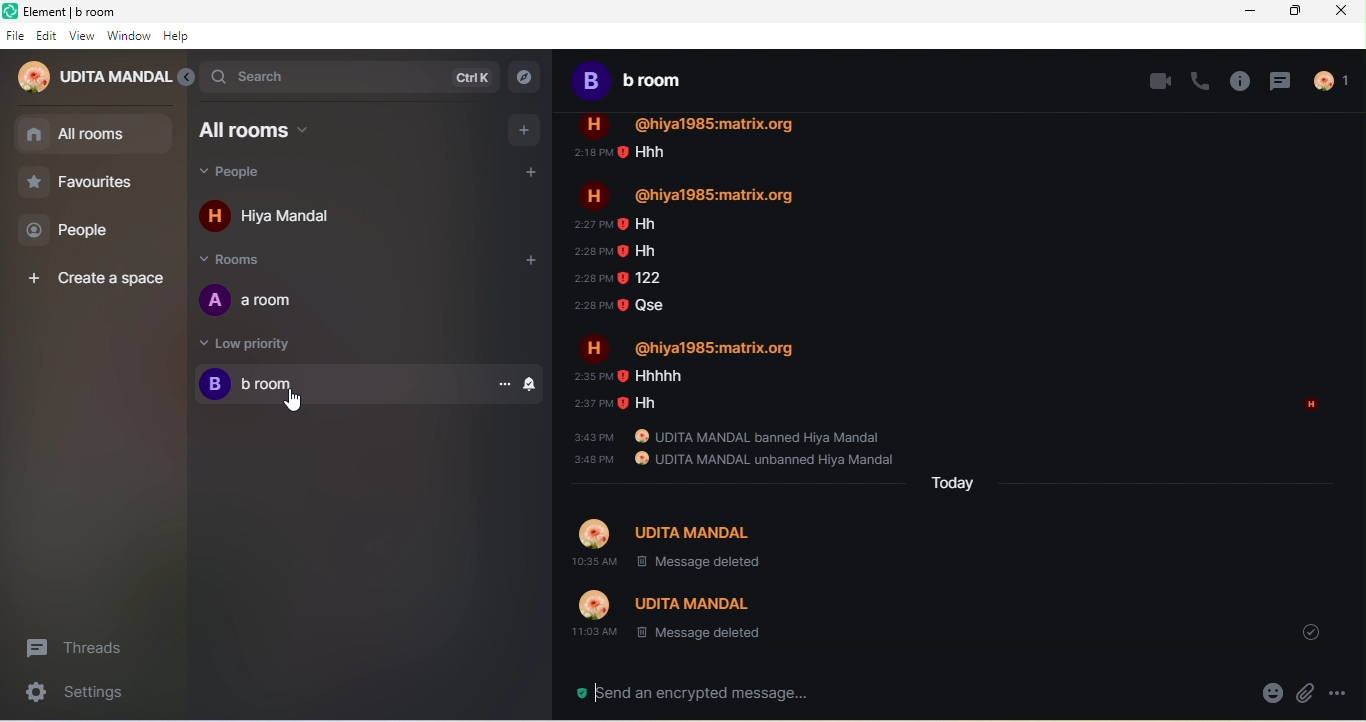 Image resolution: width=1366 pixels, height=722 pixels. What do you see at coordinates (296, 218) in the screenshot?
I see `hiya mandal` at bounding box center [296, 218].